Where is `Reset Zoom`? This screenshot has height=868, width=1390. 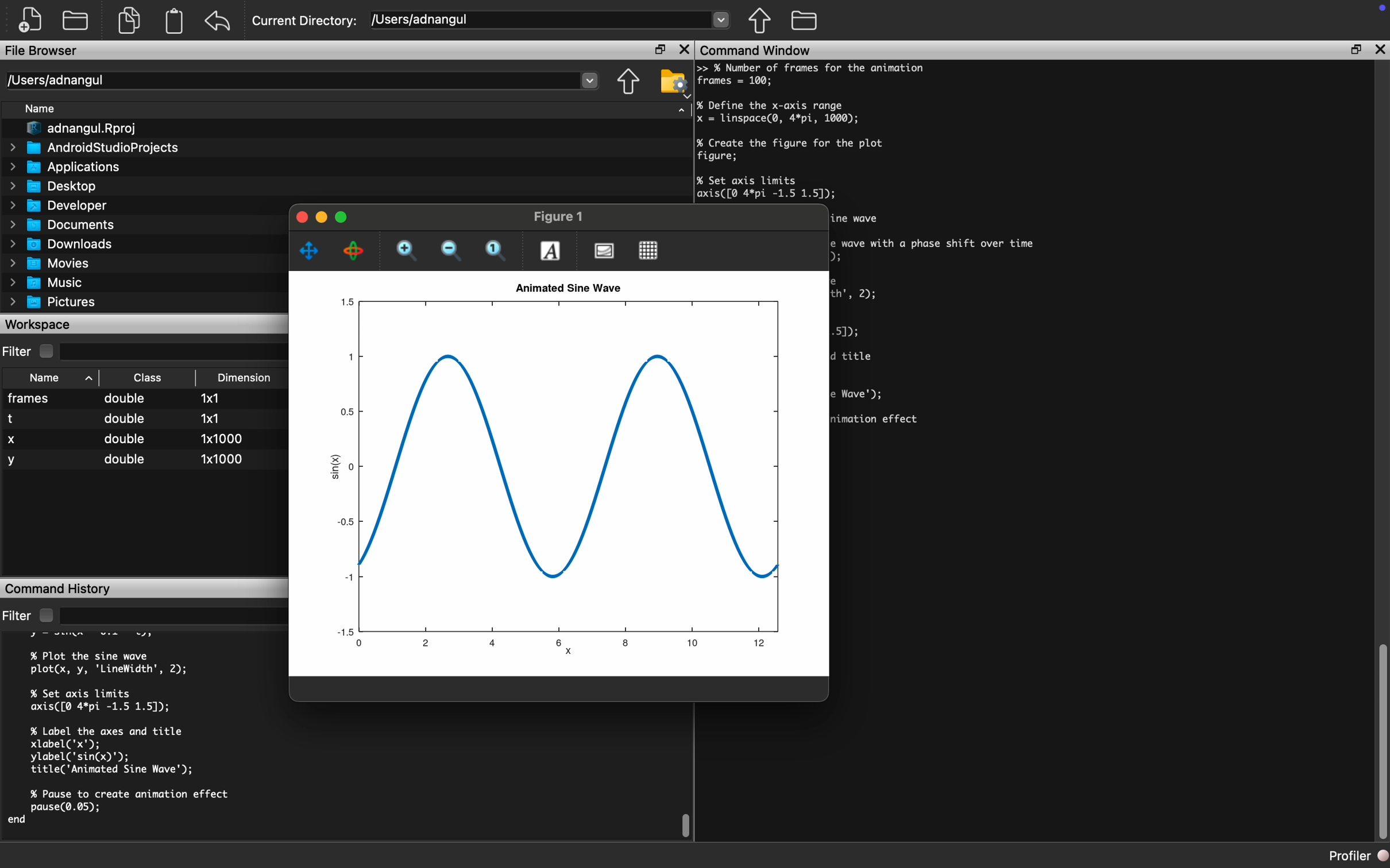 Reset Zoom is located at coordinates (497, 253).